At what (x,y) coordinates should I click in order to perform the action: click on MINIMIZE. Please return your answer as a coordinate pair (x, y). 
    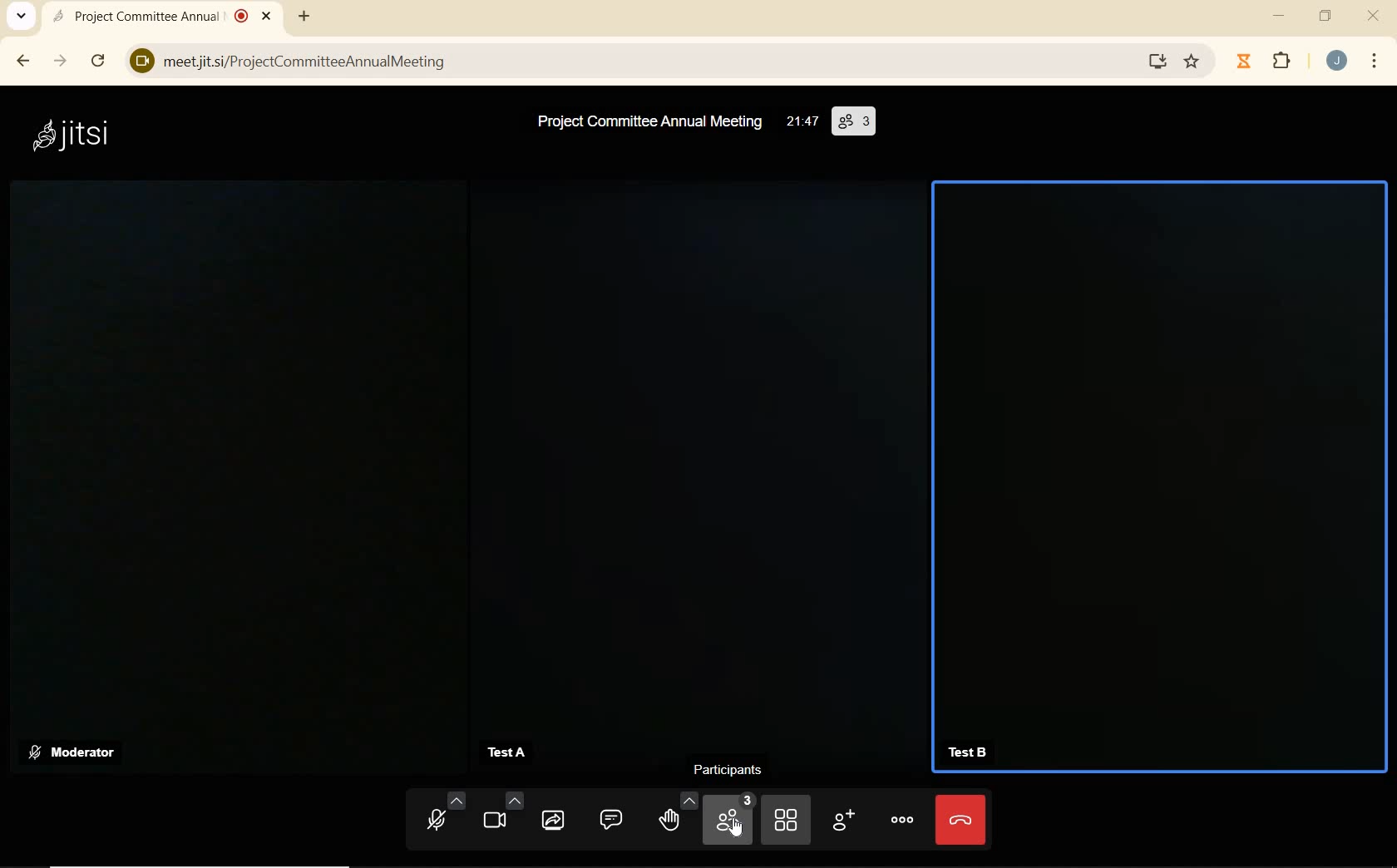
    Looking at the image, I should click on (1279, 17).